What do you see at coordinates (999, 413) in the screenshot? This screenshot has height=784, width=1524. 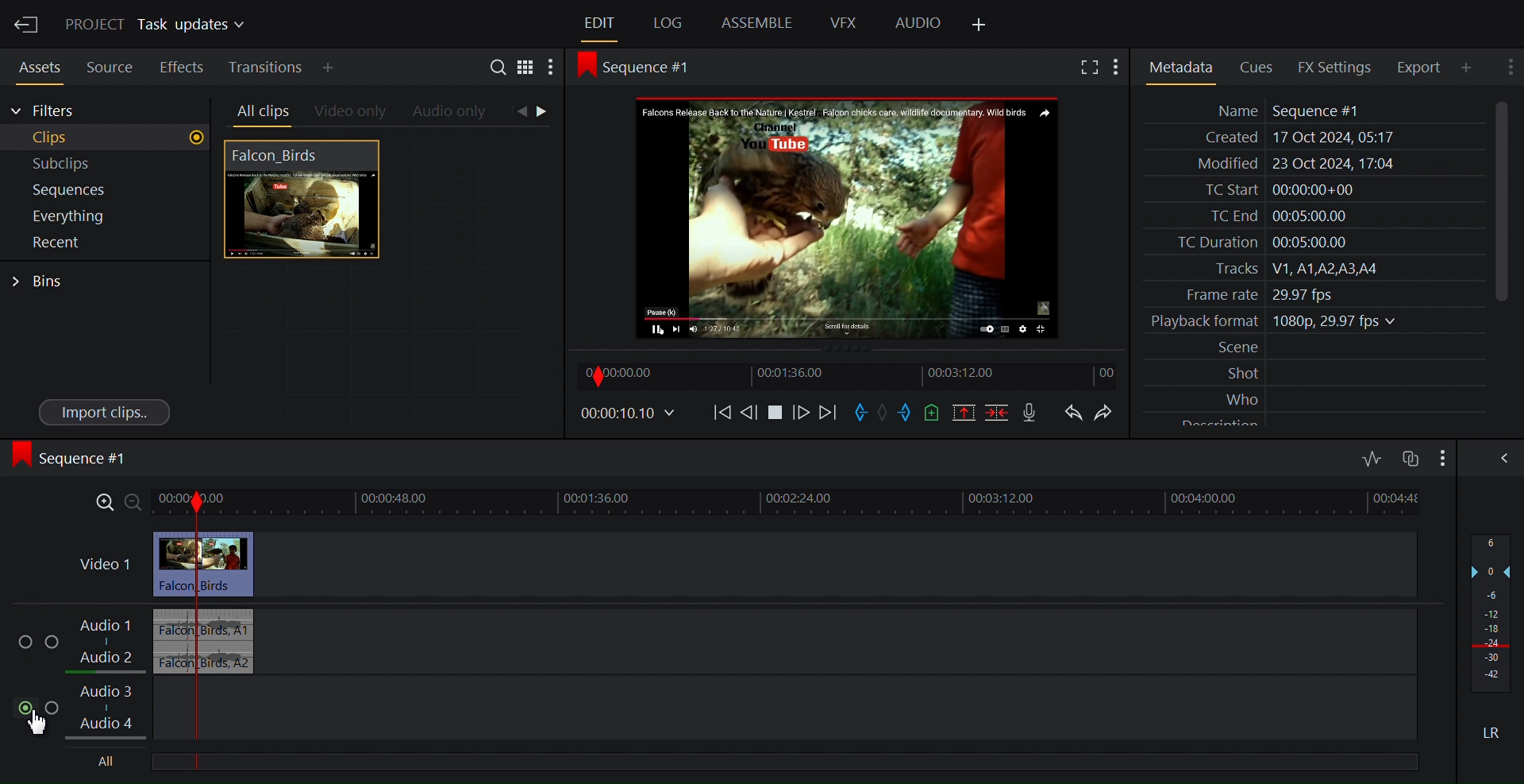 I see `Delete/cut` at bounding box center [999, 413].